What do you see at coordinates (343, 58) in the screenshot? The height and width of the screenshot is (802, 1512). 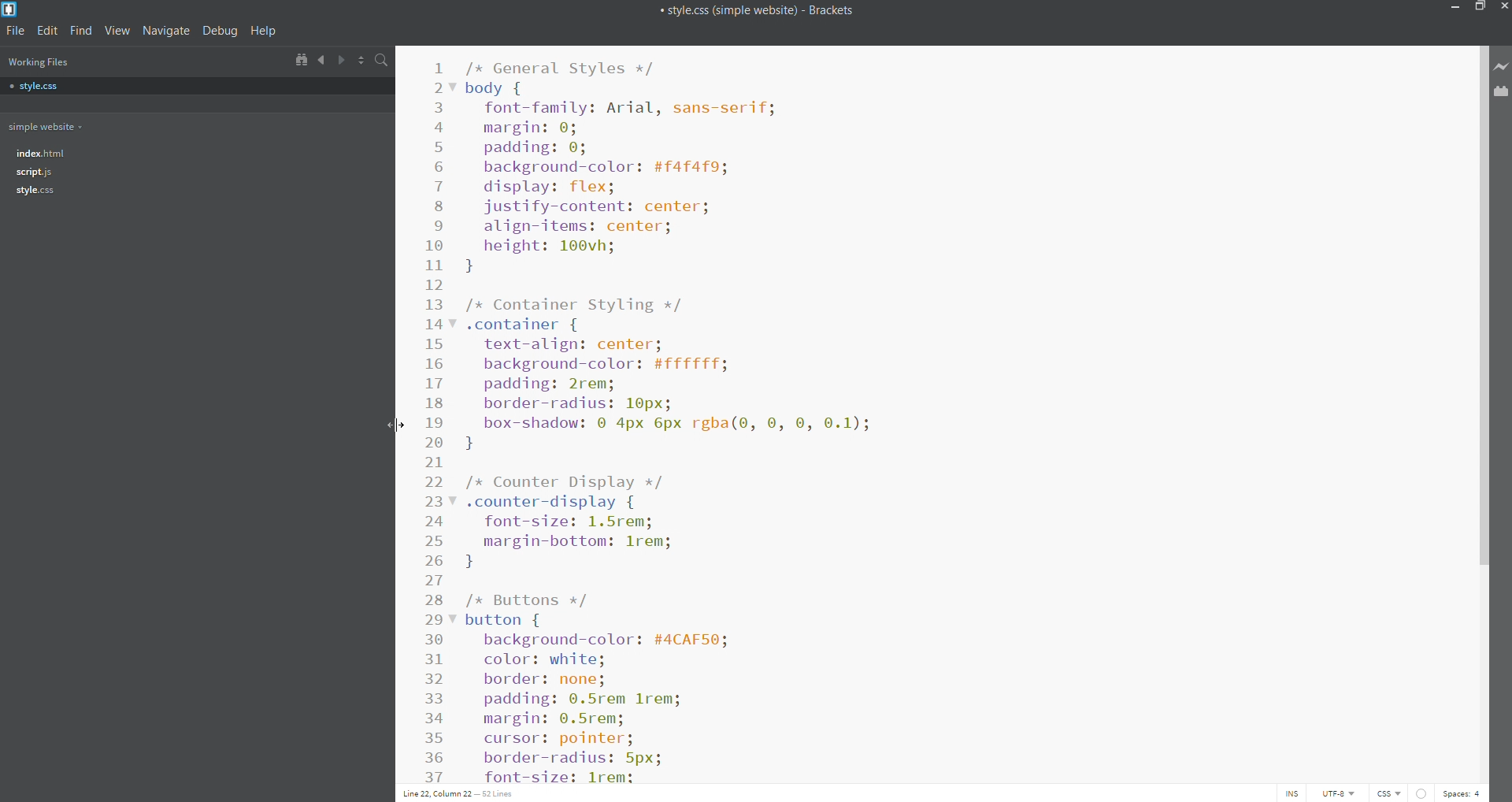 I see `navigate forward` at bounding box center [343, 58].